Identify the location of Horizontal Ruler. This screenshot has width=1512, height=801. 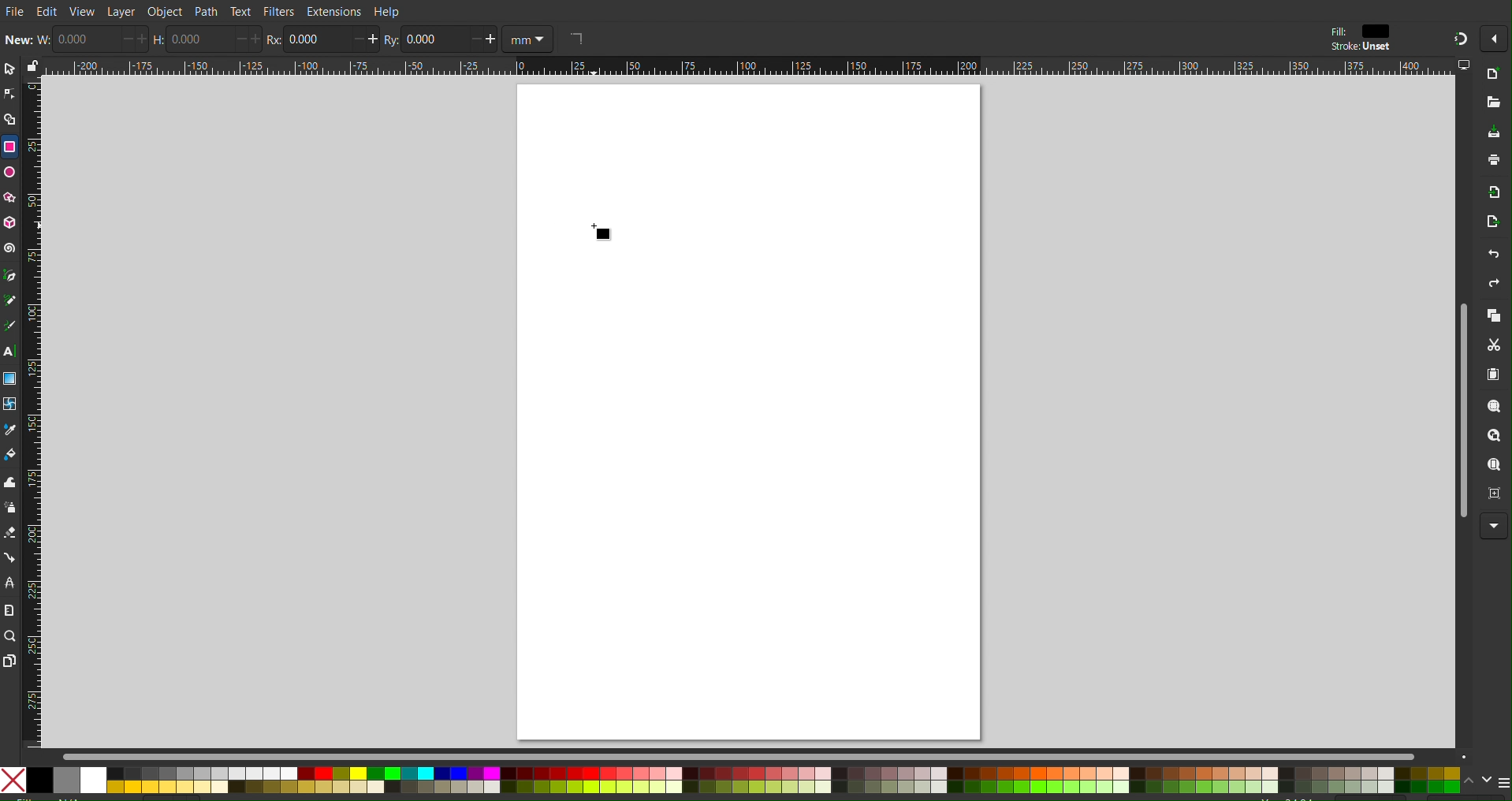
(748, 68).